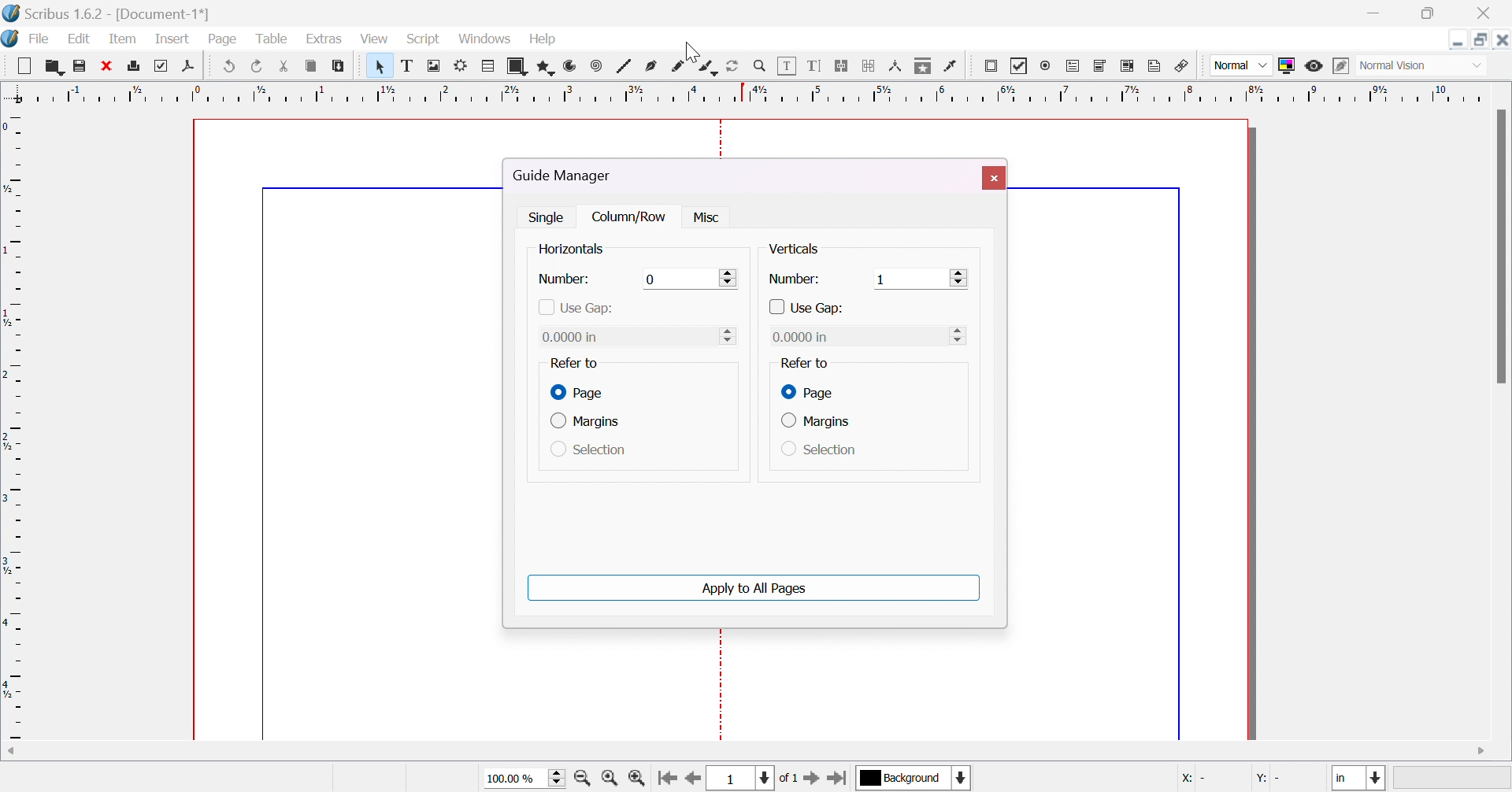 This screenshot has width=1512, height=792. What do you see at coordinates (589, 451) in the screenshot?
I see `selection` at bounding box center [589, 451].